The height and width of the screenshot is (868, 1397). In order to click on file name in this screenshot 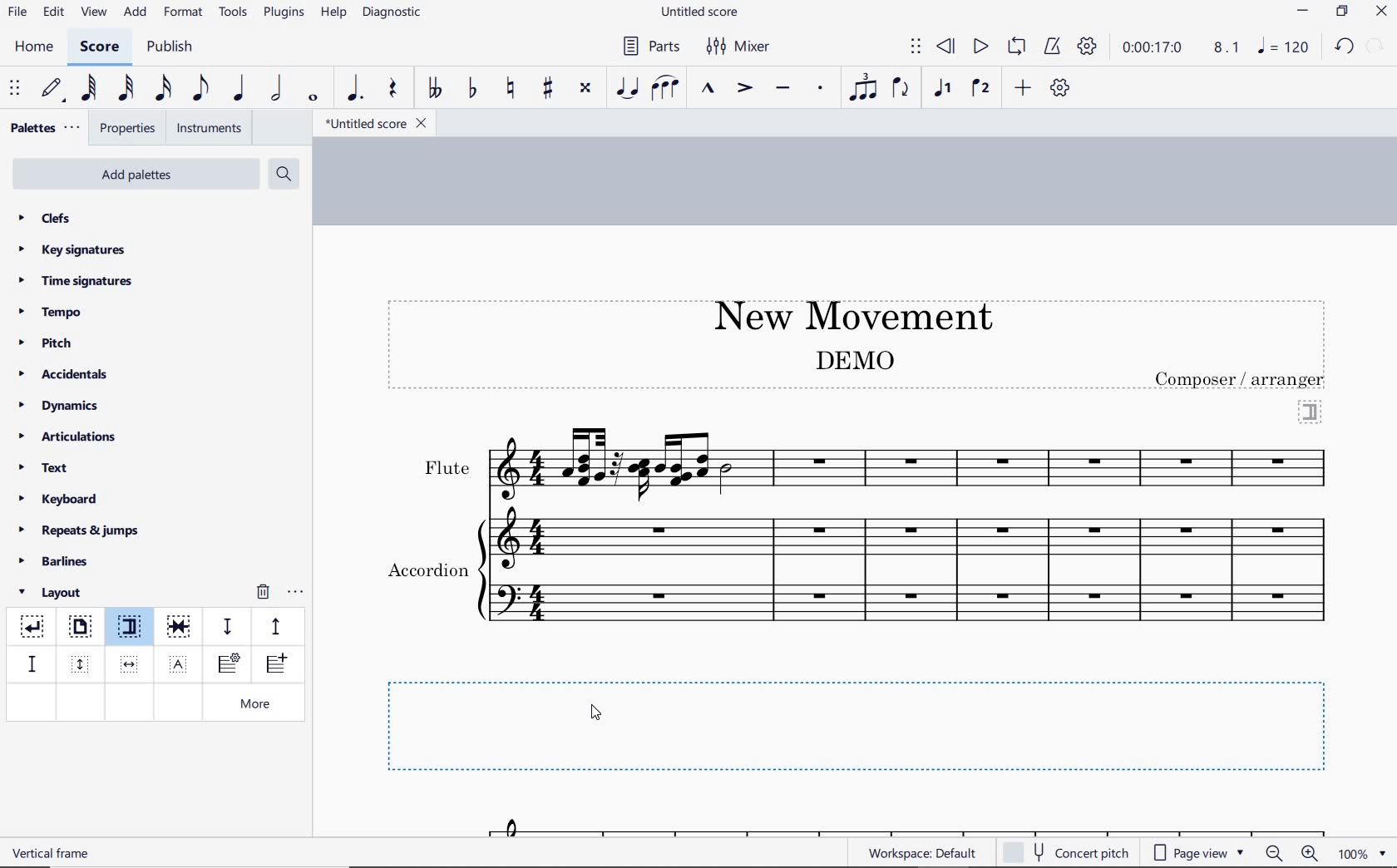, I will do `click(702, 12)`.